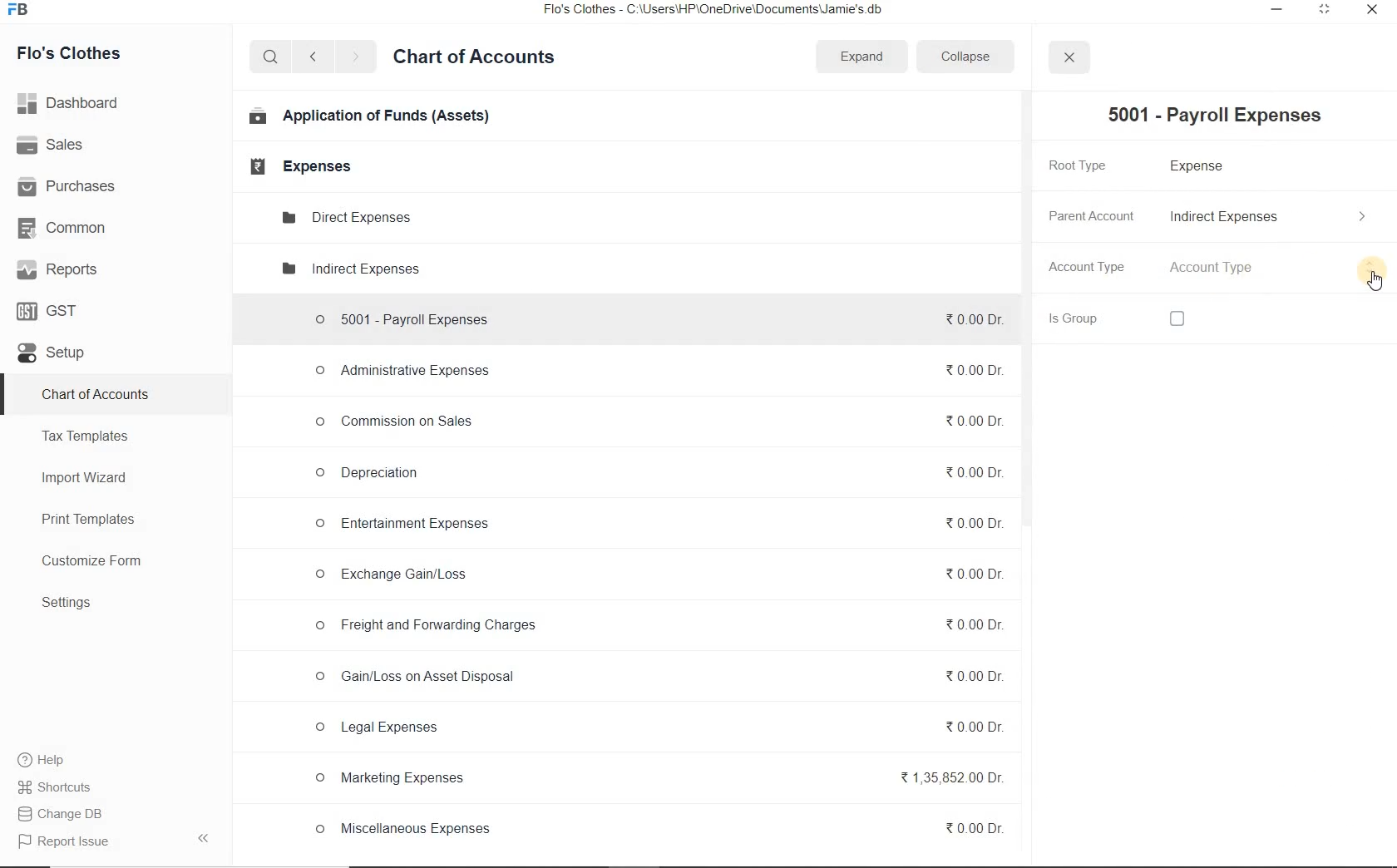 This screenshot has height=868, width=1397. Describe the element at coordinates (653, 316) in the screenshot. I see `5001 - Payroll Expenses 0.00 Dr` at that location.